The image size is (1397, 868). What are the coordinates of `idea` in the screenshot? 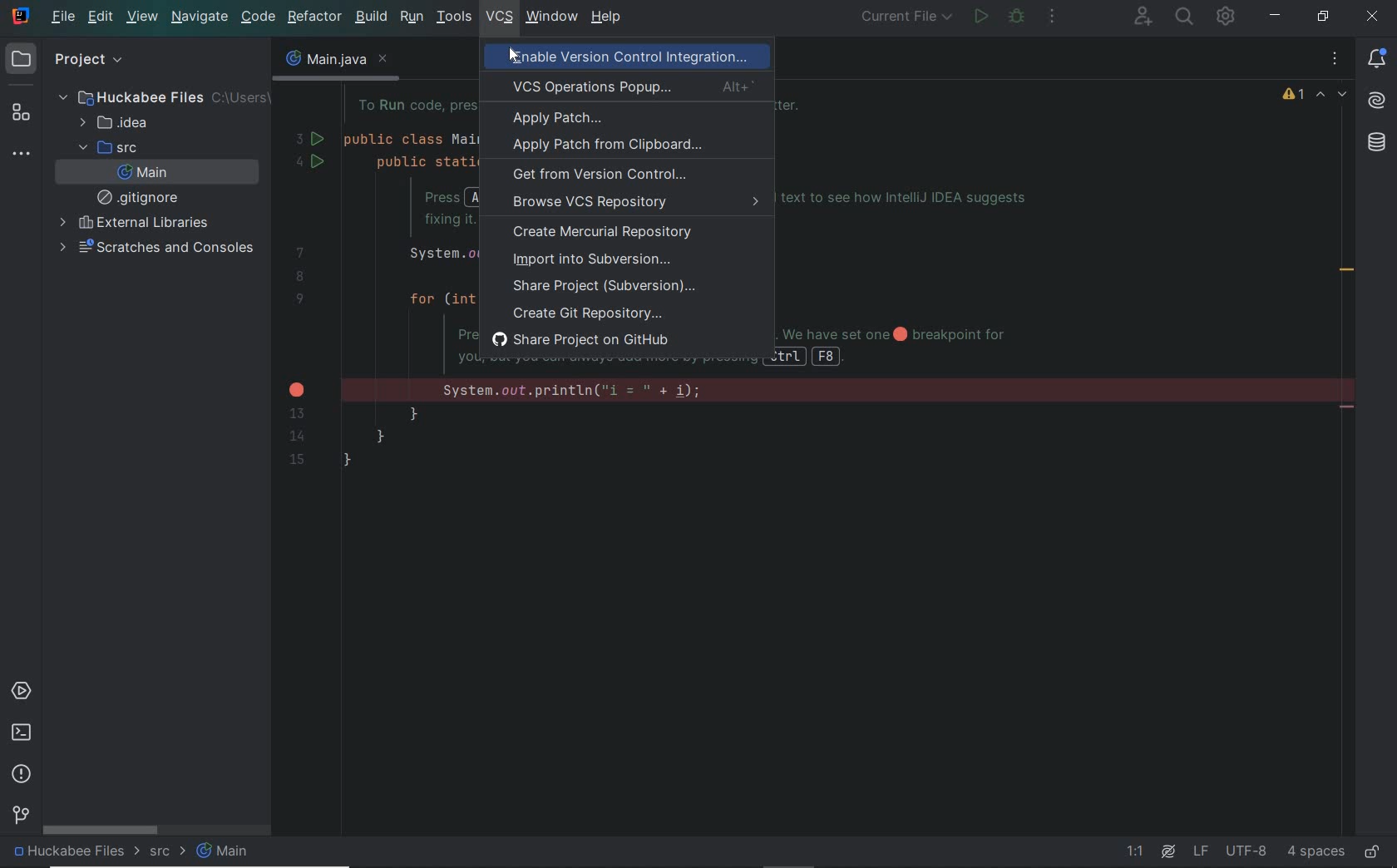 It's located at (119, 123).